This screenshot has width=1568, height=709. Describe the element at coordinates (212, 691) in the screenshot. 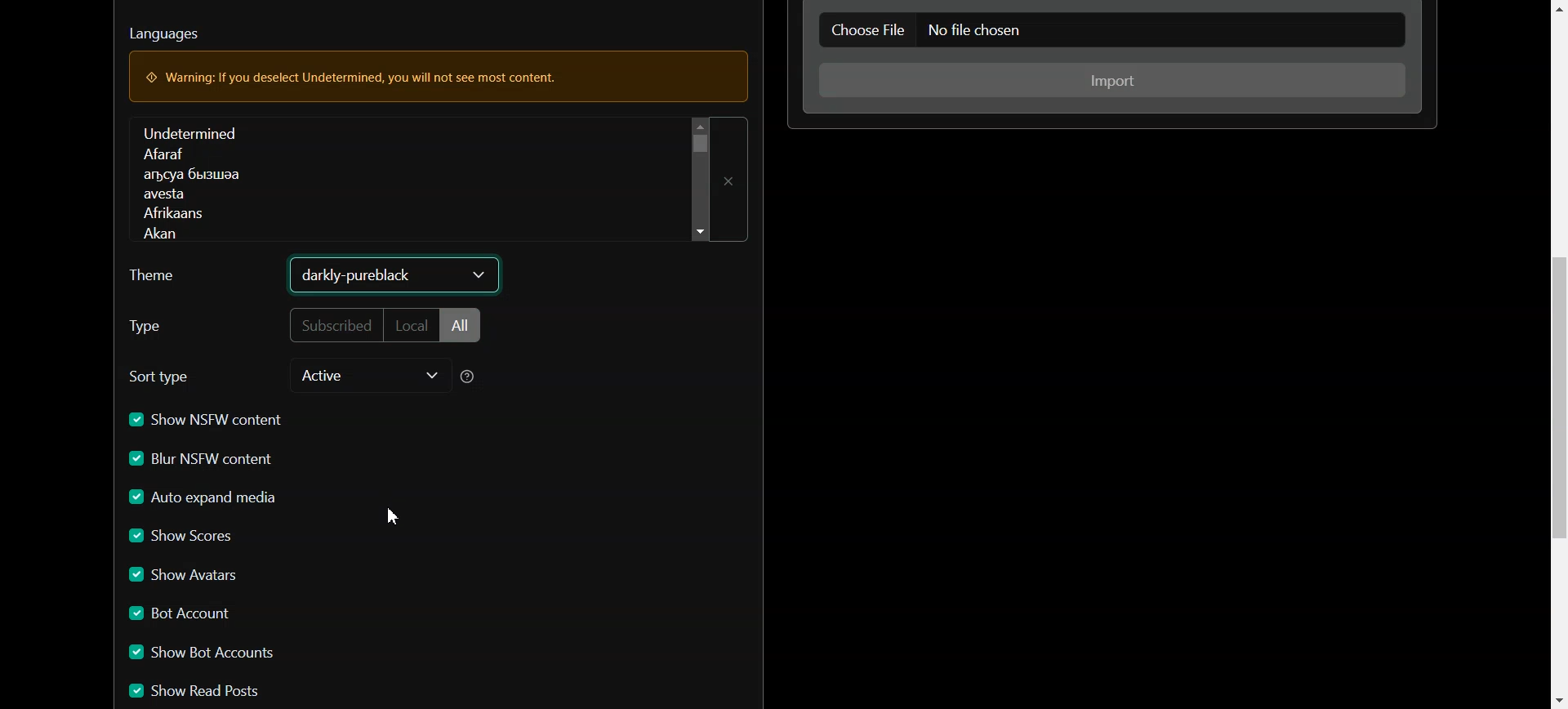

I see `Show read posts` at that location.